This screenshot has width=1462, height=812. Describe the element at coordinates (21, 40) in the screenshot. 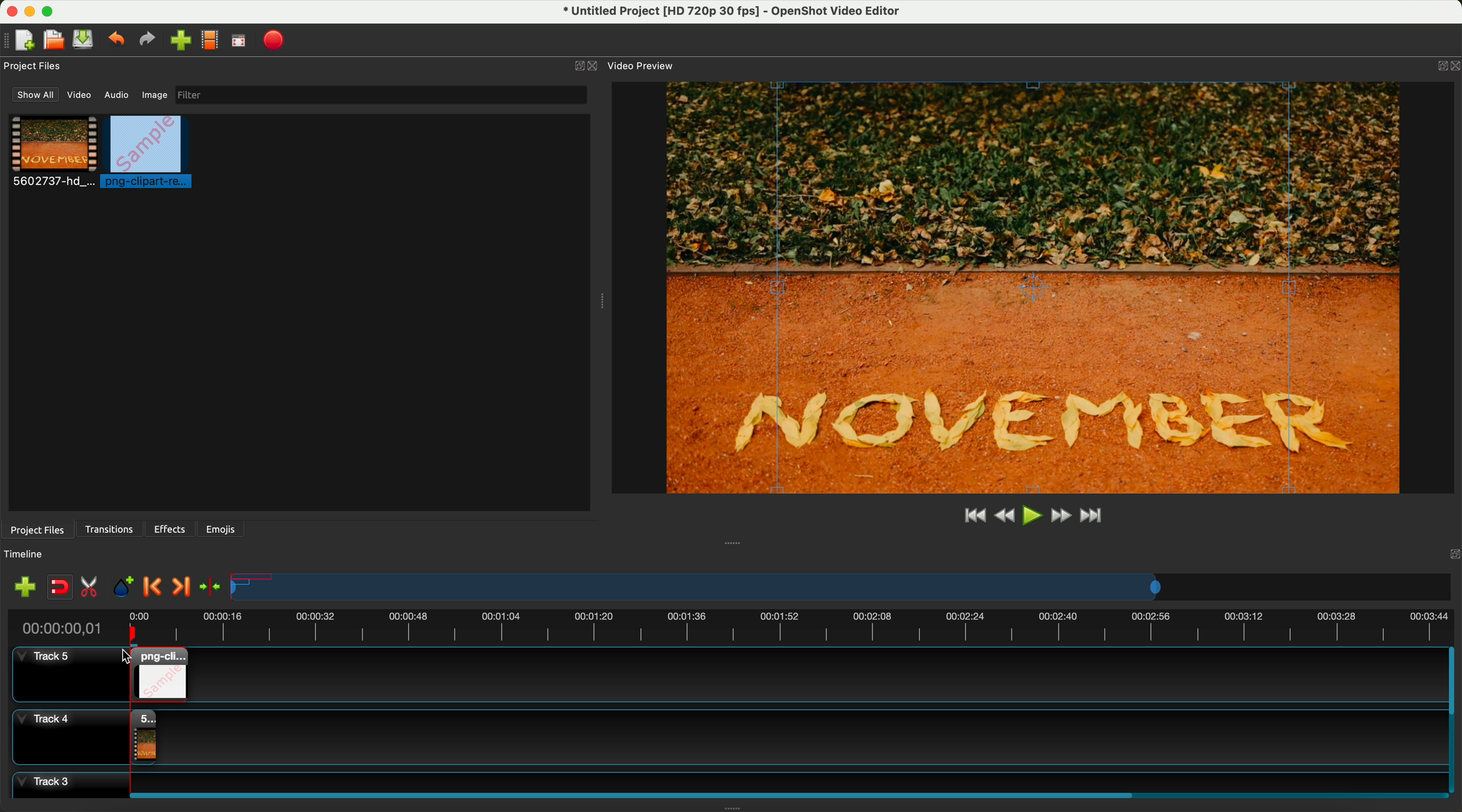

I see `new file` at that location.